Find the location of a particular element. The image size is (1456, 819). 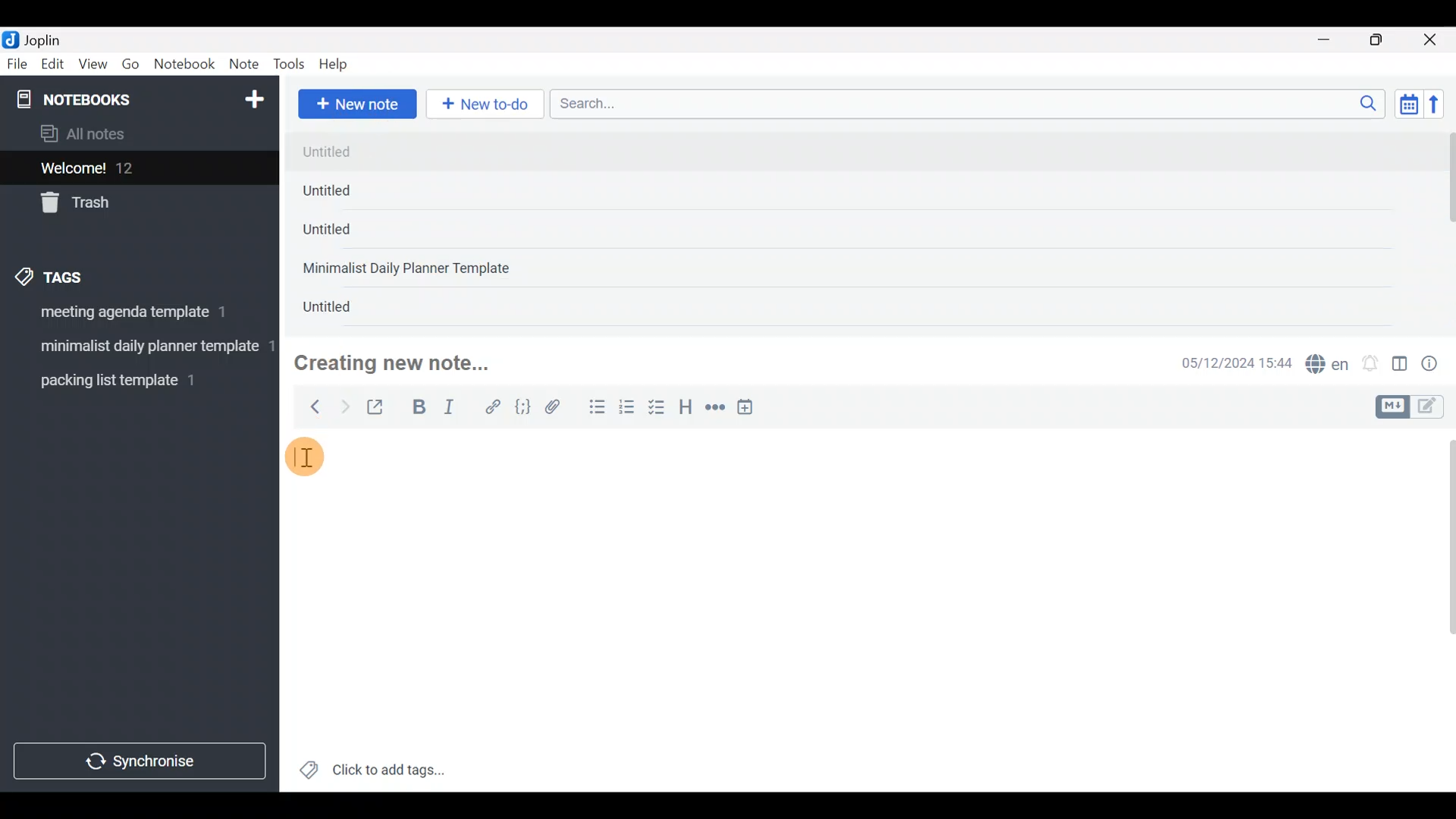

Synchronize is located at coordinates (142, 761).